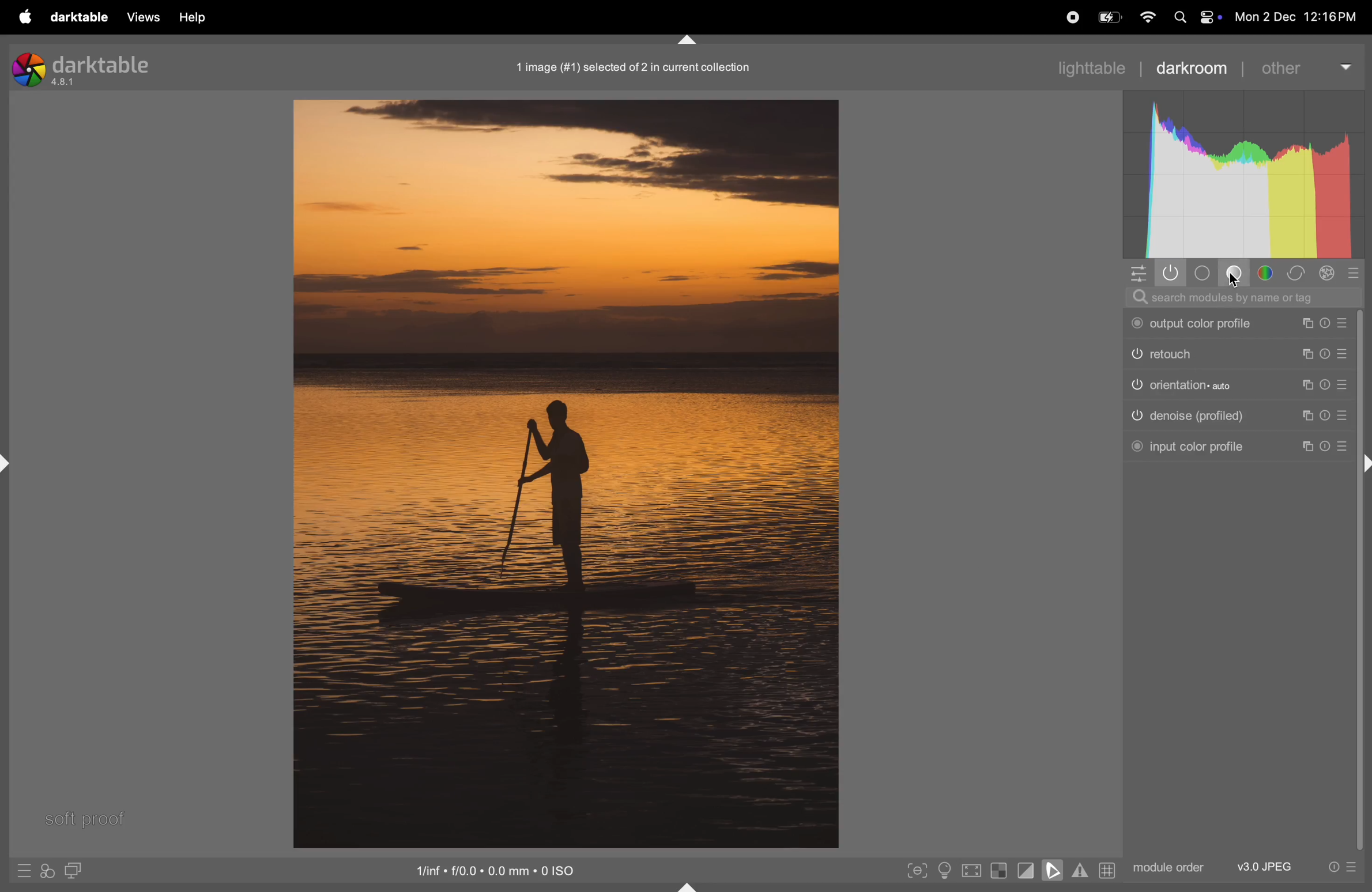 This screenshot has height=892, width=1372. I want to click on softproof, so click(91, 819).